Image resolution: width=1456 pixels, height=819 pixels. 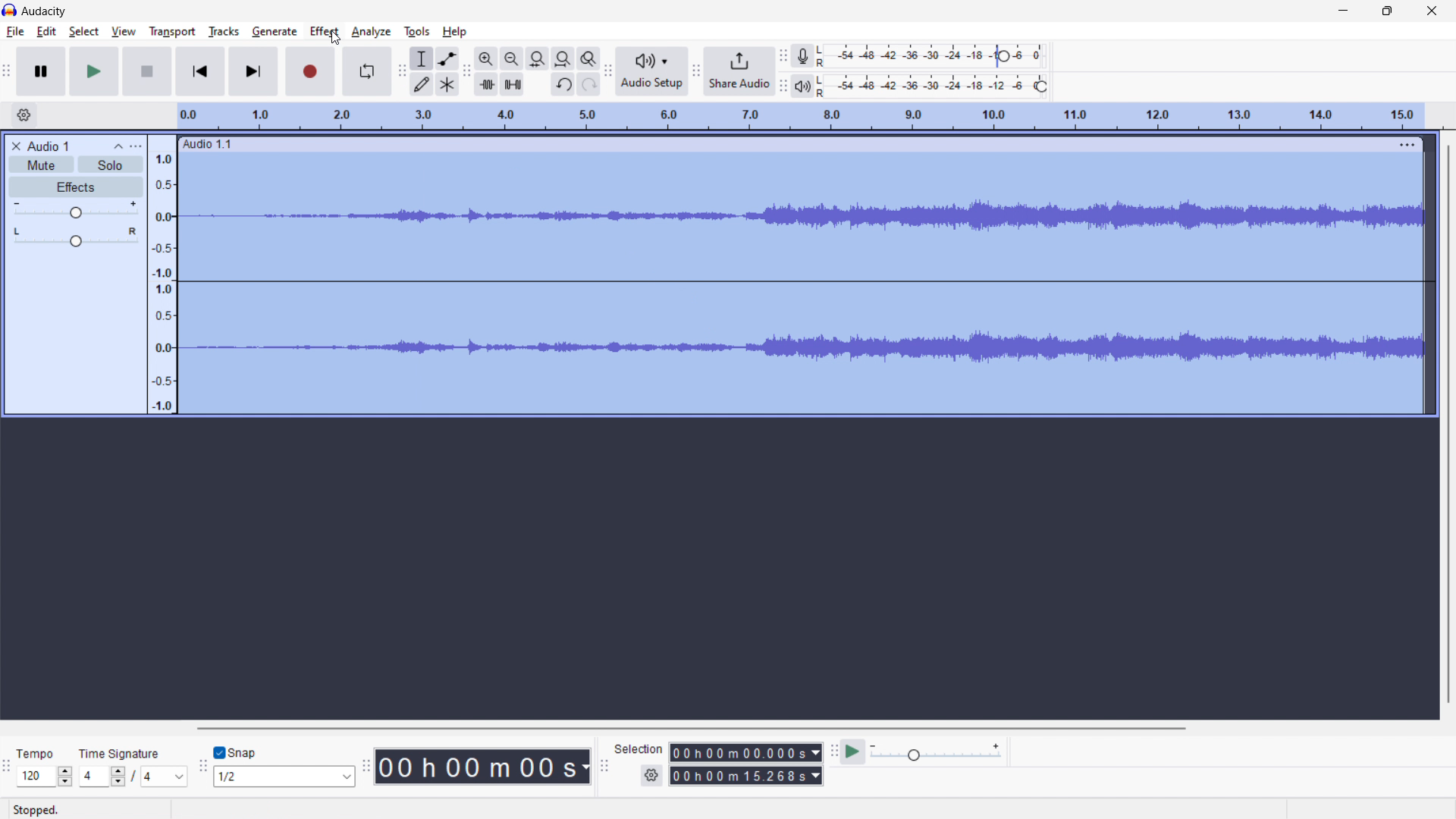 I want to click on menu, so click(x=1405, y=145).